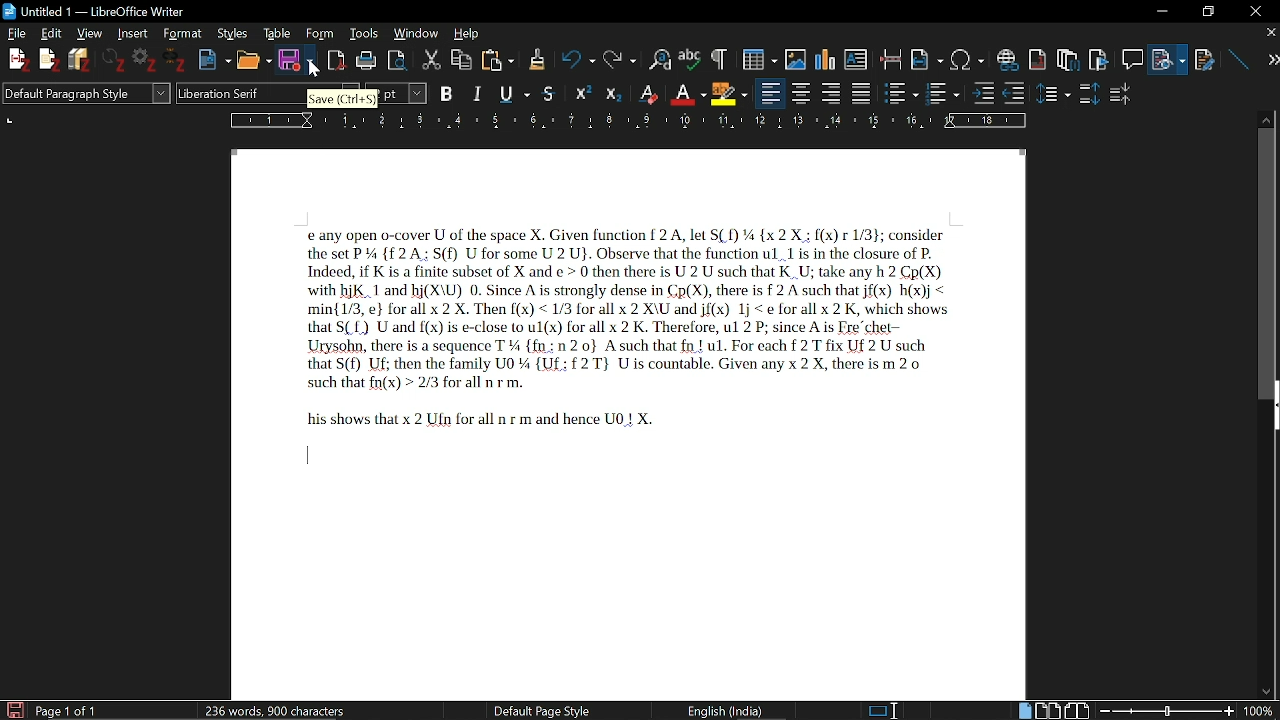 Image resolution: width=1280 pixels, height=720 pixels. Describe the element at coordinates (178, 62) in the screenshot. I see `` at that location.